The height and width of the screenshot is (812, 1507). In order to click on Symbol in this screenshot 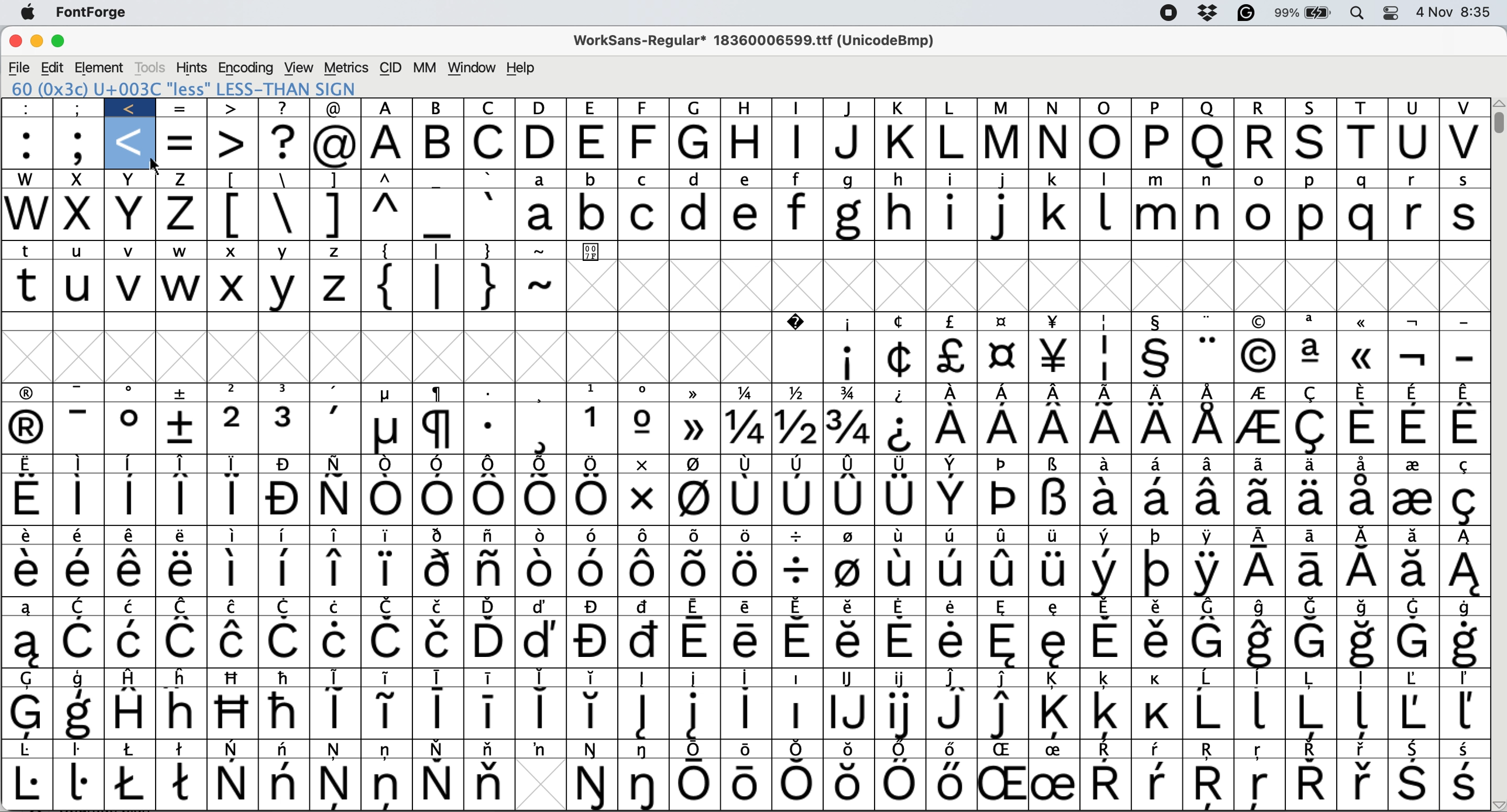, I will do `click(648, 393)`.